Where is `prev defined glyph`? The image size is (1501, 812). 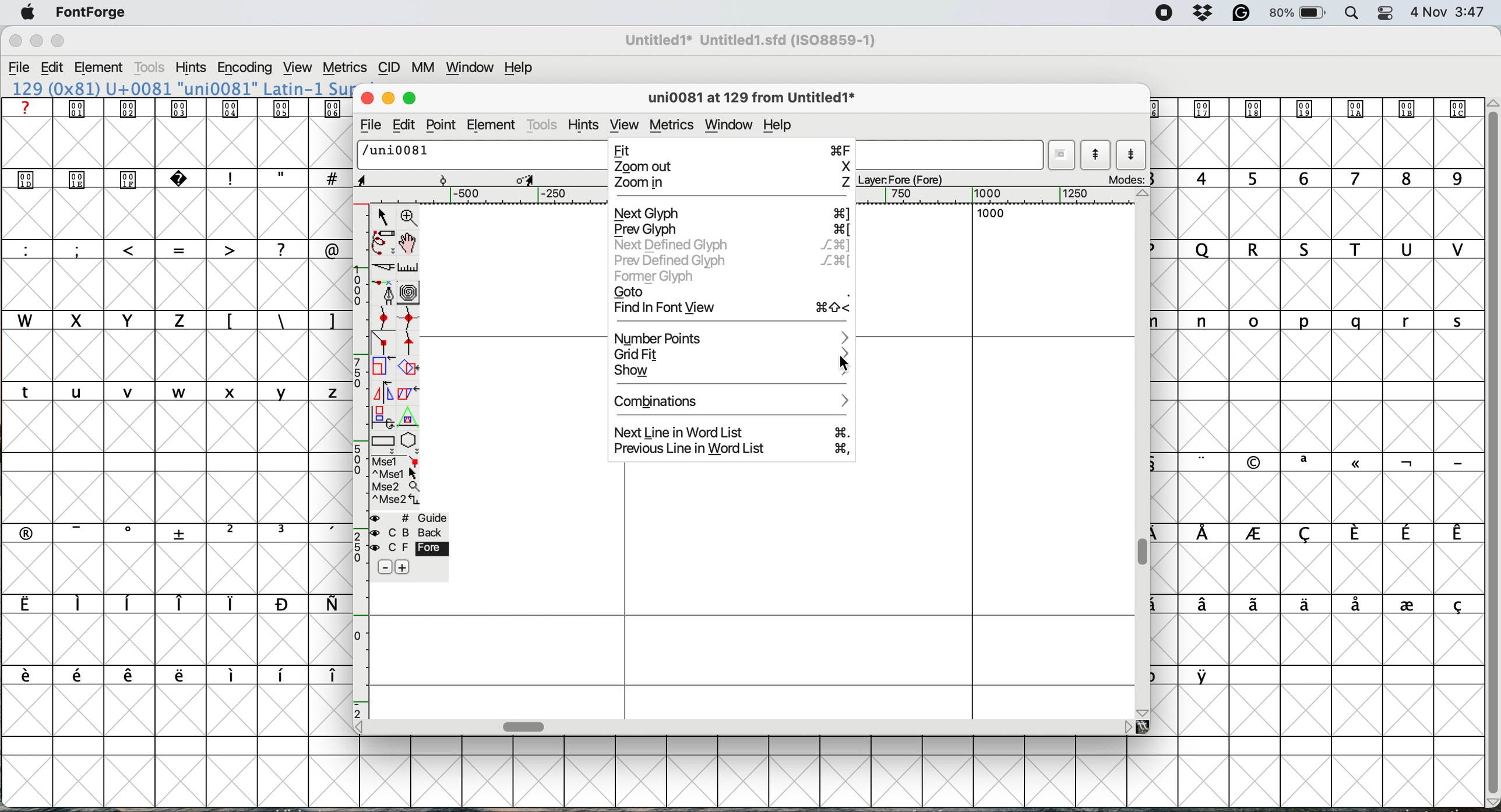
prev defined glyph is located at coordinates (732, 259).